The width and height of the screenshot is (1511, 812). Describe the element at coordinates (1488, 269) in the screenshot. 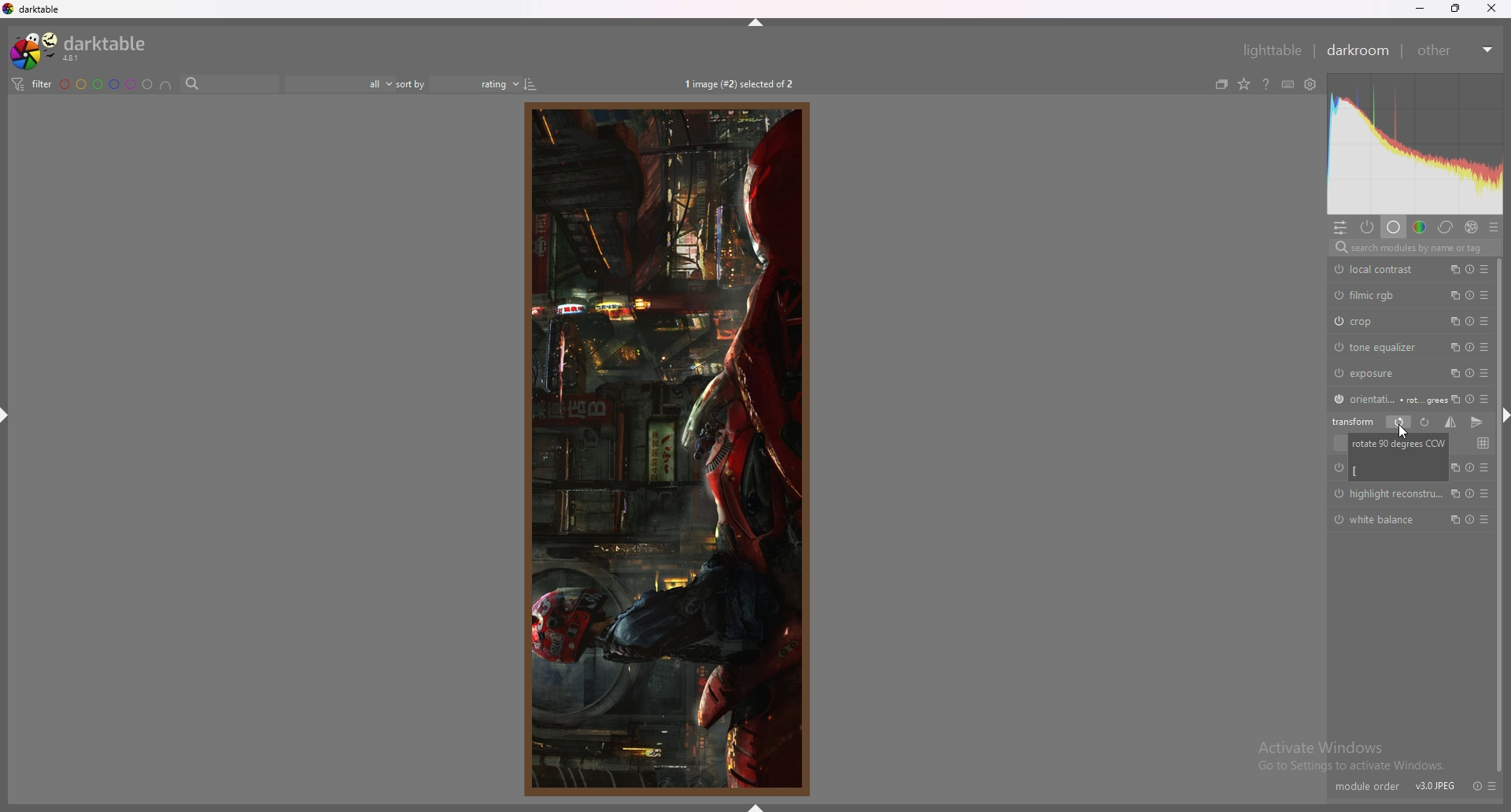

I see `presets` at that location.